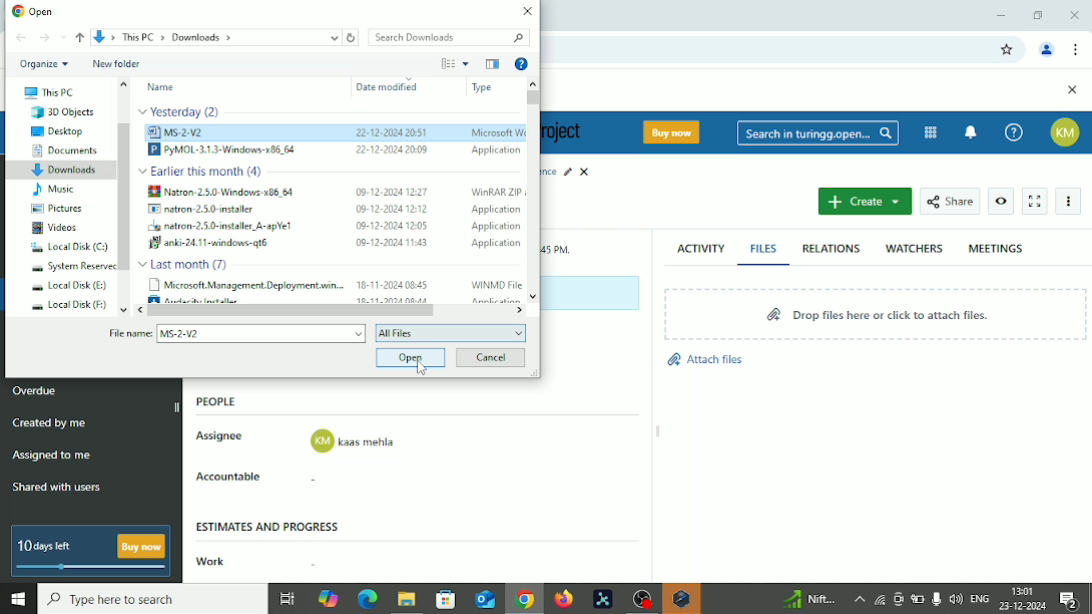 This screenshot has height=614, width=1092. Describe the element at coordinates (1035, 202) in the screenshot. I see `Activate zen mode` at that location.